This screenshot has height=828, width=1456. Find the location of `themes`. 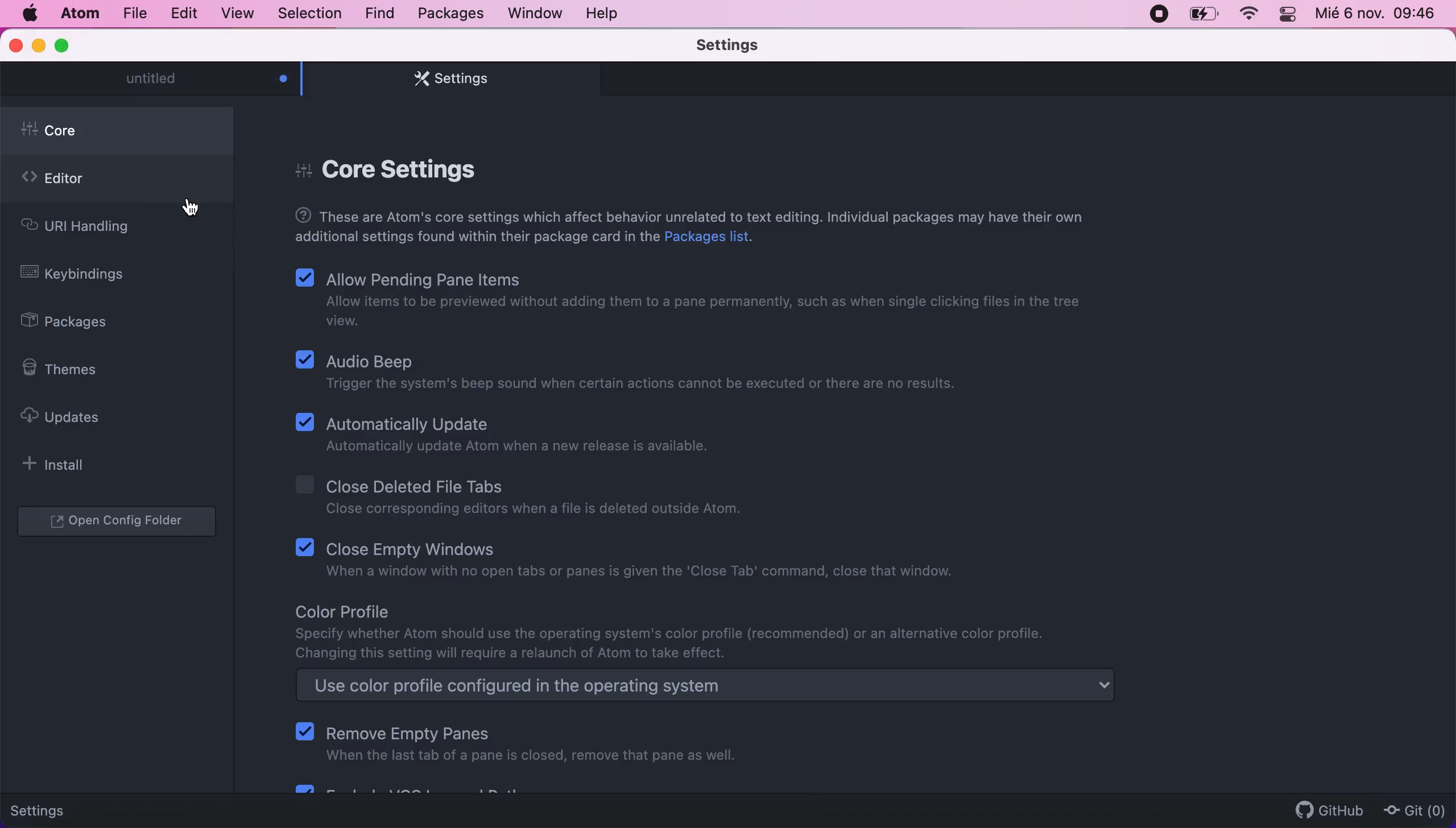

themes is located at coordinates (72, 366).